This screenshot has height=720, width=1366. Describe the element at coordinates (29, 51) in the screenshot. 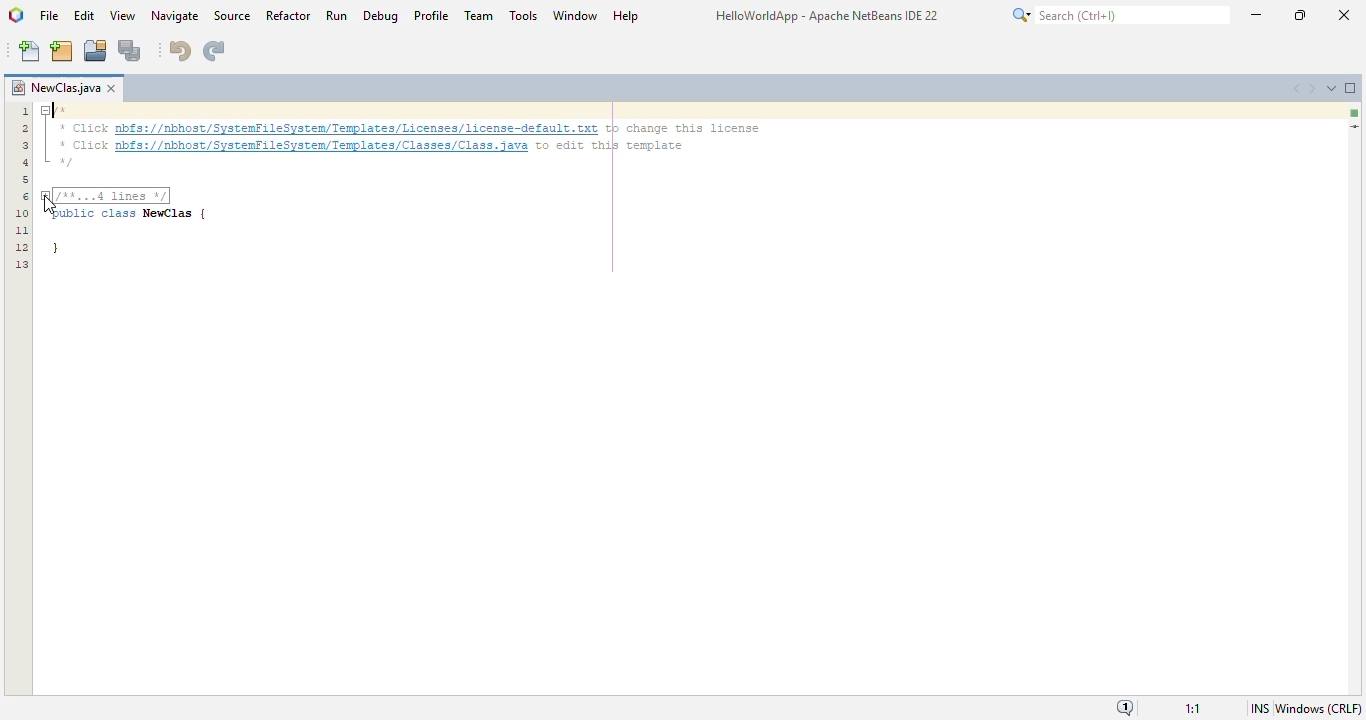

I see `new file` at that location.